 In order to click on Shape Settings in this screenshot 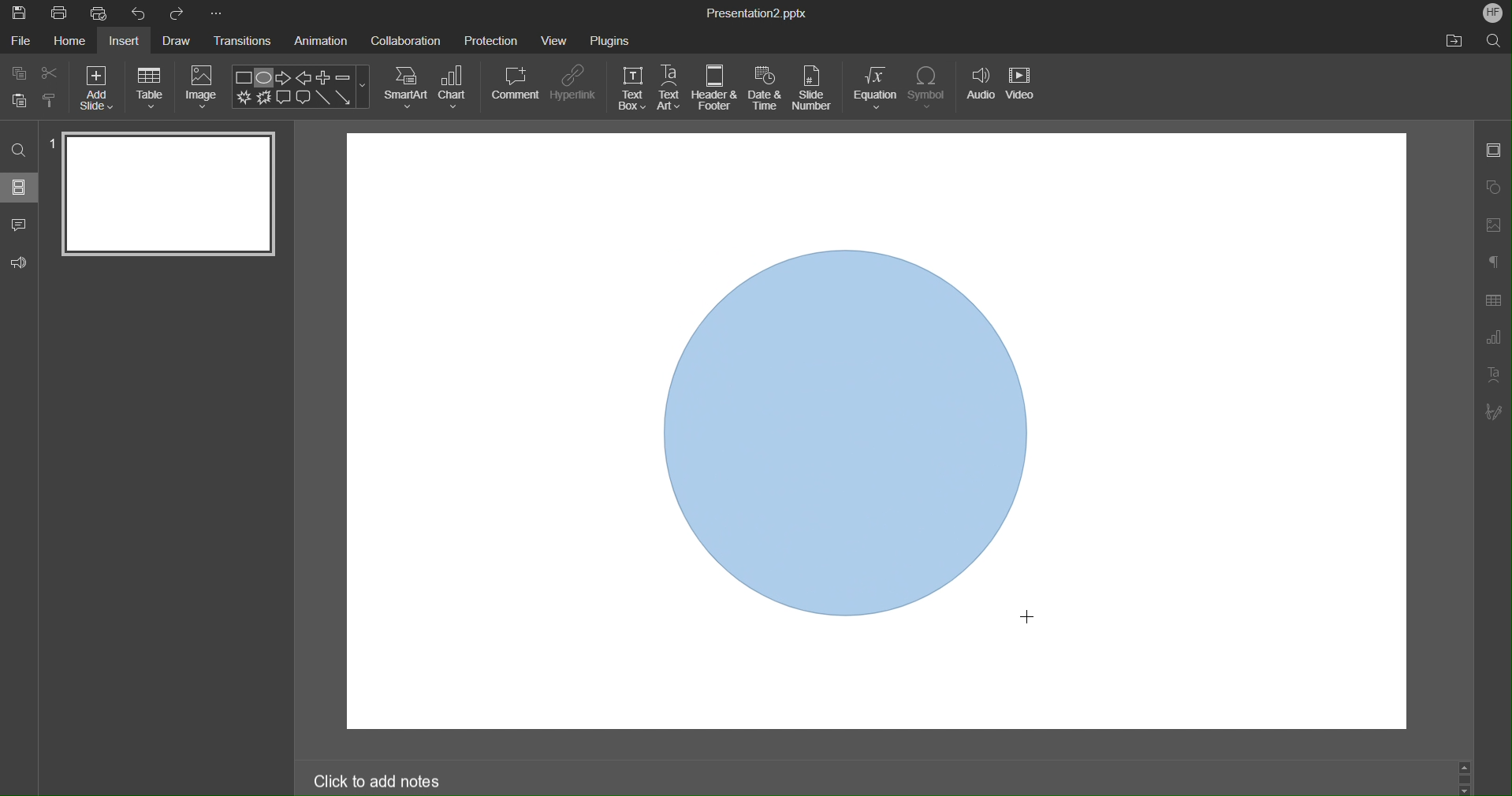, I will do `click(1495, 186)`.